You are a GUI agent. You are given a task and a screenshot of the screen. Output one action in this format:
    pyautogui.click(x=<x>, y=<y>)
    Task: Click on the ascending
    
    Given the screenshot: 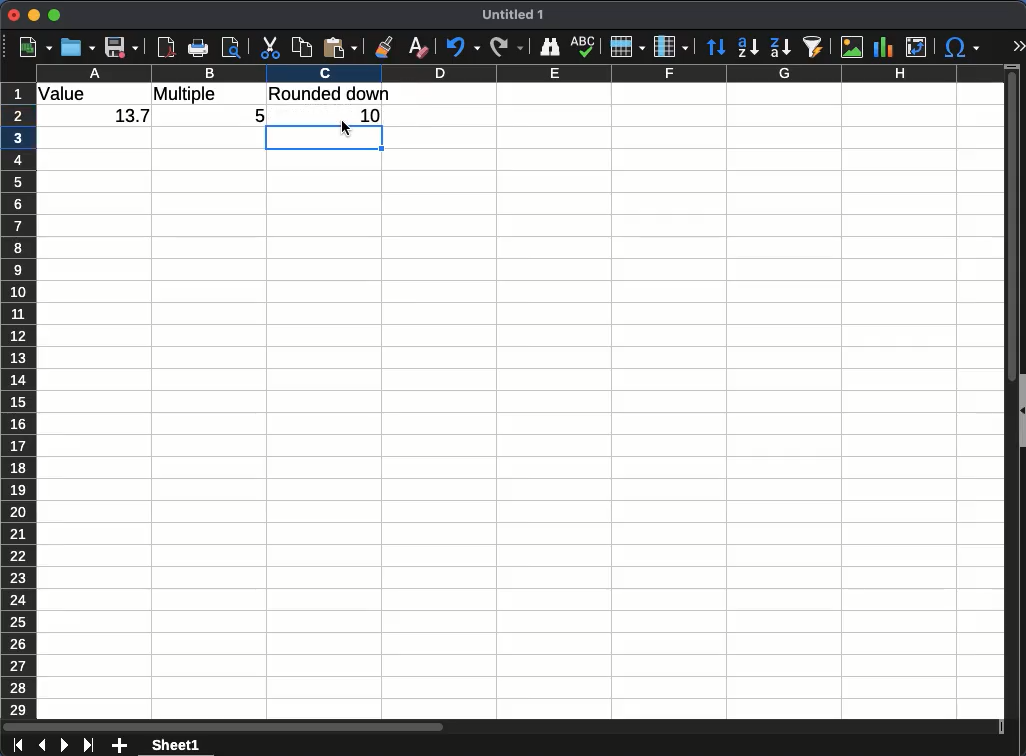 What is the action you would take?
    pyautogui.click(x=748, y=47)
    